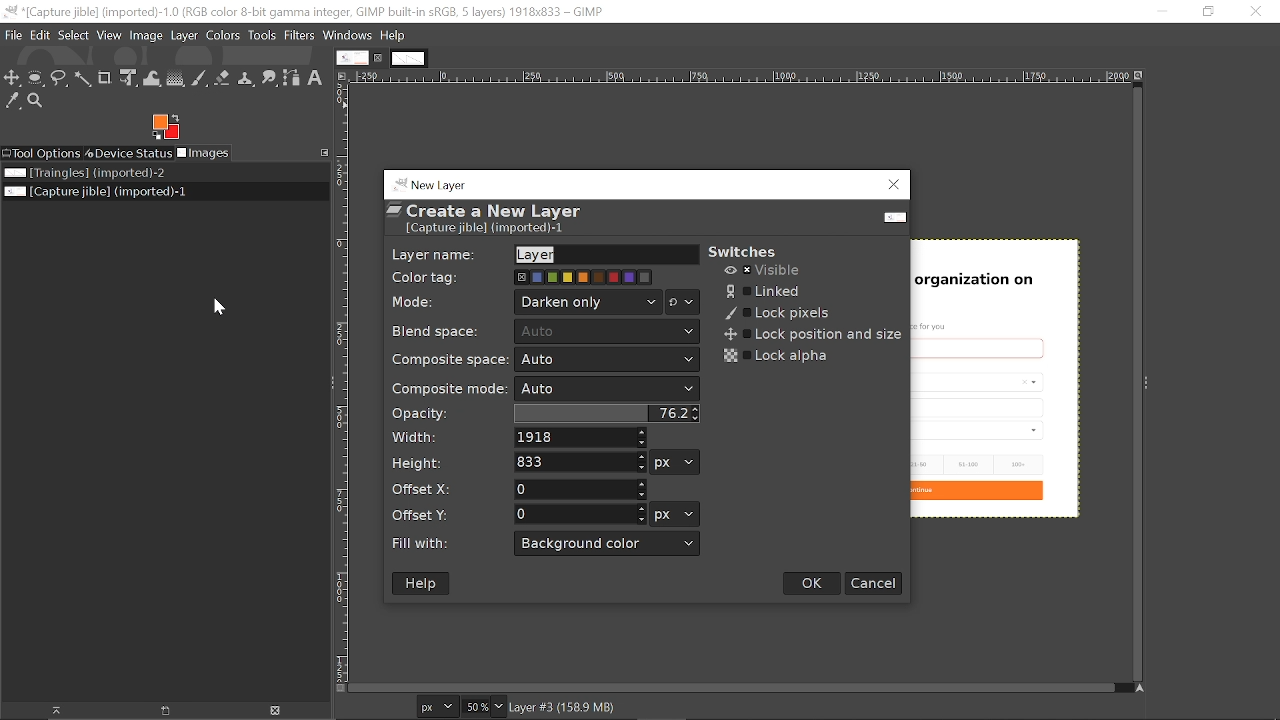 The width and height of the screenshot is (1280, 720). I want to click on Visible, so click(764, 271).